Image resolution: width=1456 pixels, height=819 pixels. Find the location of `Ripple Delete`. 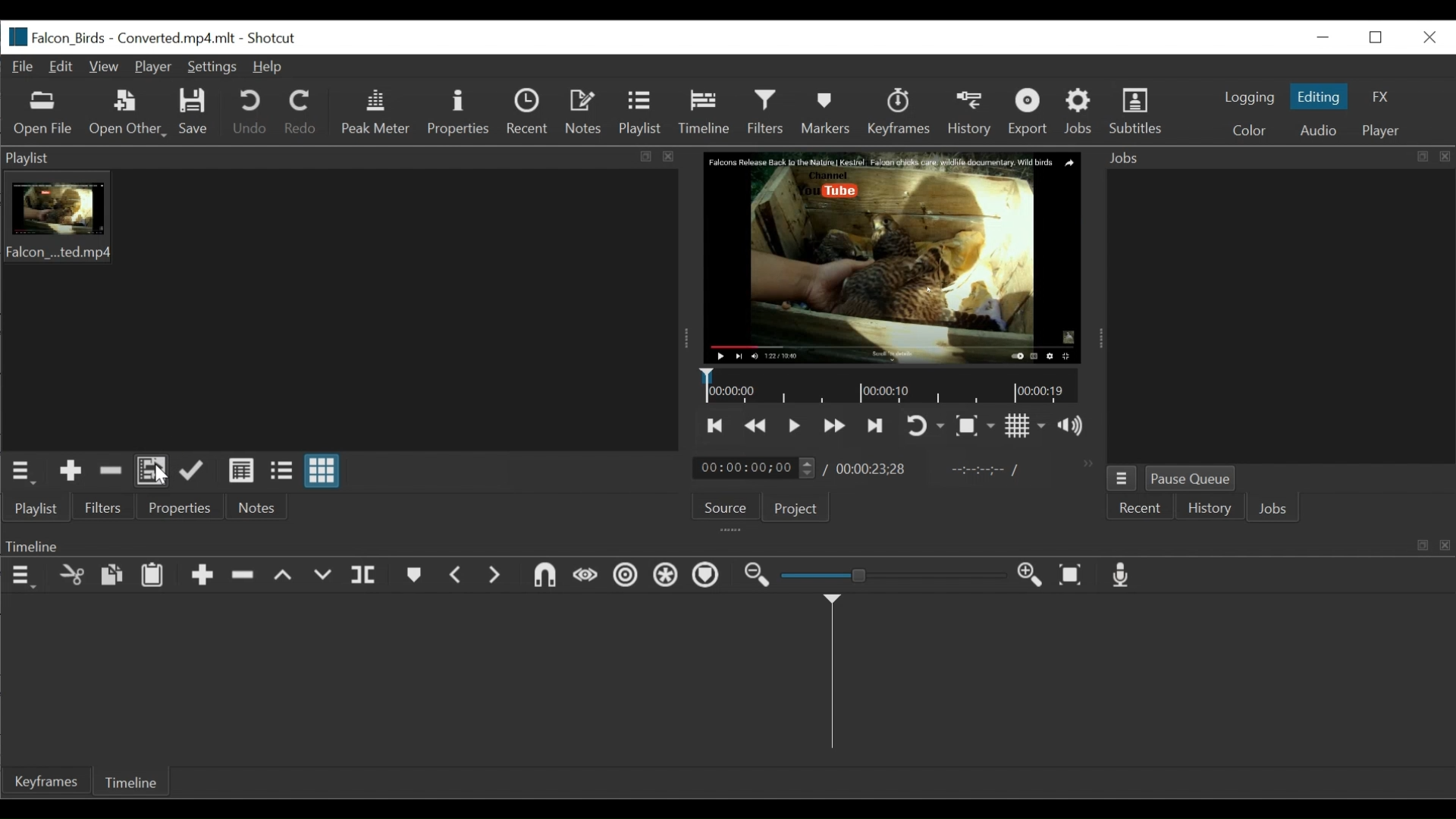

Ripple Delete is located at coordinates (245, 579).